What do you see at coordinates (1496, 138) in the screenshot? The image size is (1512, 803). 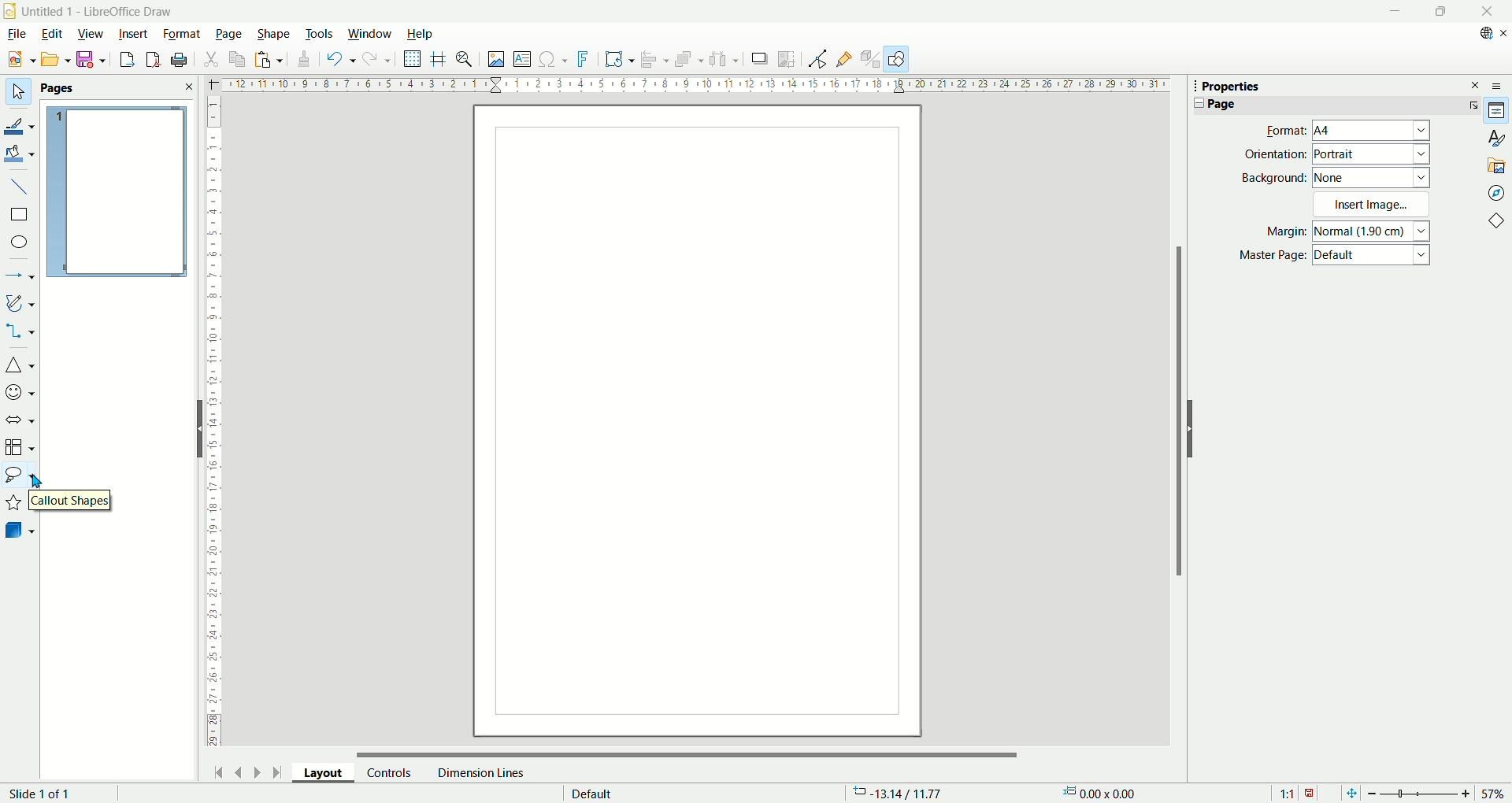 I see `Styles` at bounding box center [1496, 138].